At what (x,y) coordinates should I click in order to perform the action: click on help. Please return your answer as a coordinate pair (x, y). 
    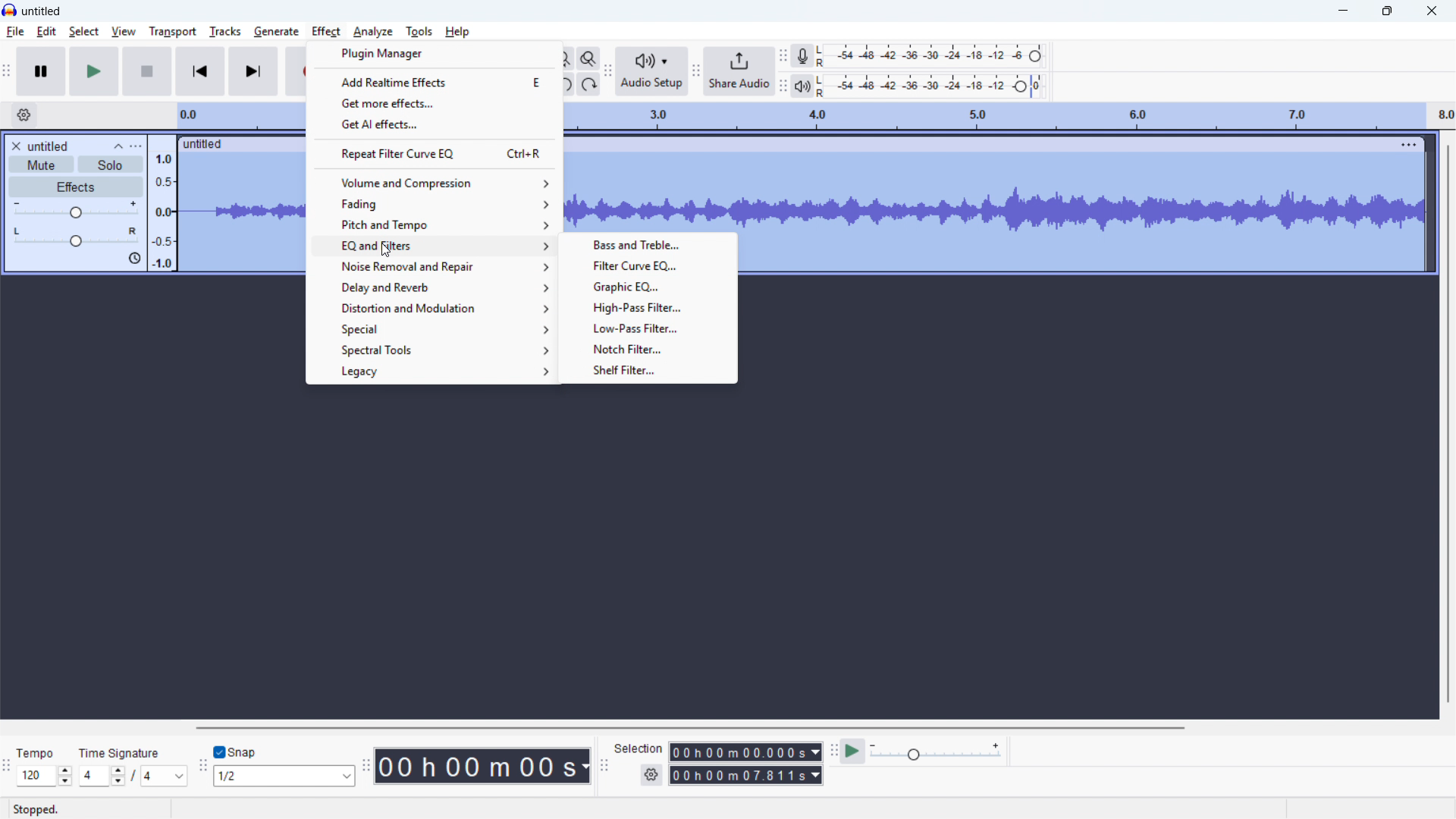
    Looking at the image, I should click on (458, 31).